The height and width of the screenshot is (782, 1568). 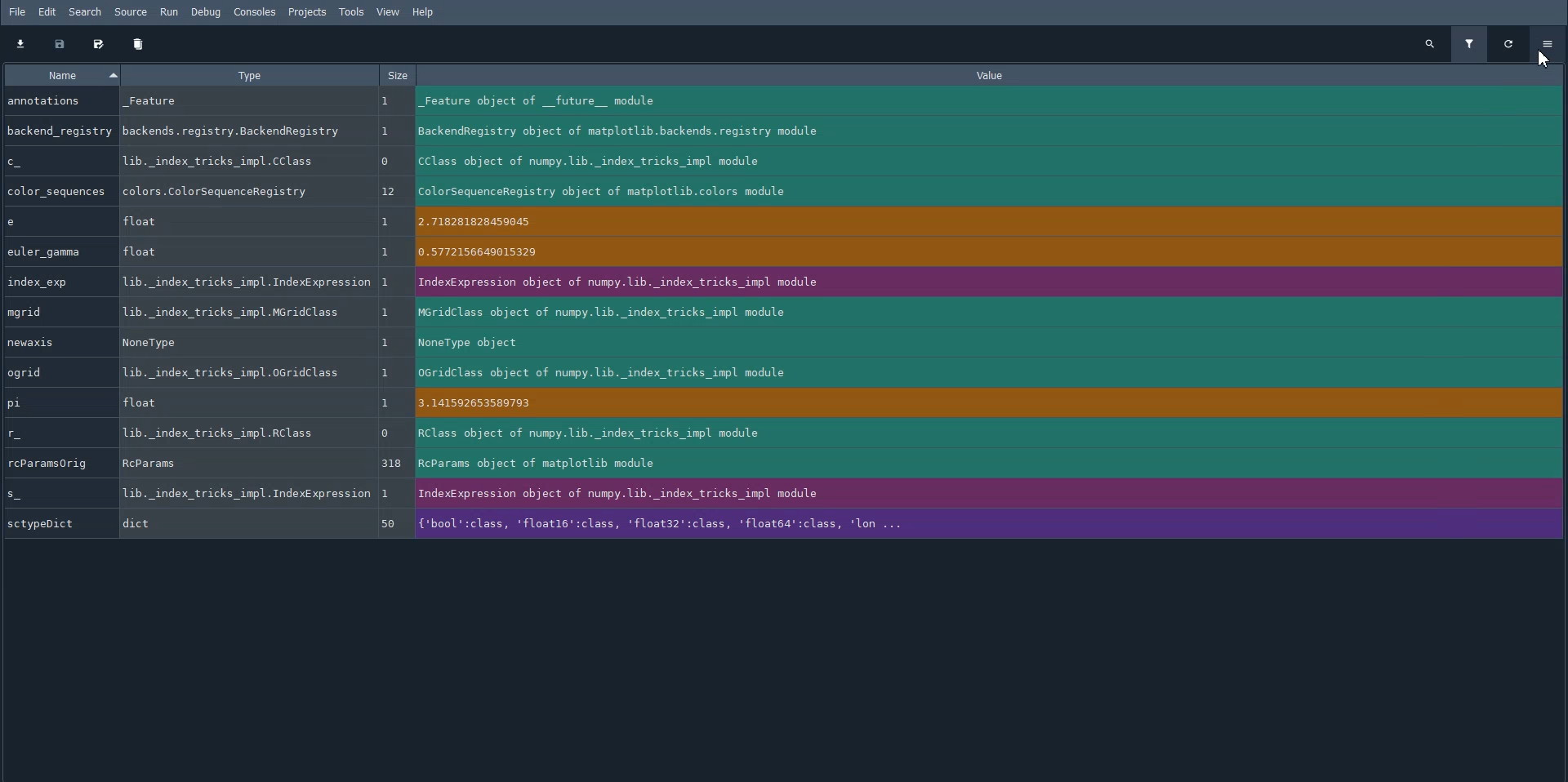 What do you see at coordinates (56, 373) in the screenshot?
I see `ogrid` at bounding box center [56, 373].